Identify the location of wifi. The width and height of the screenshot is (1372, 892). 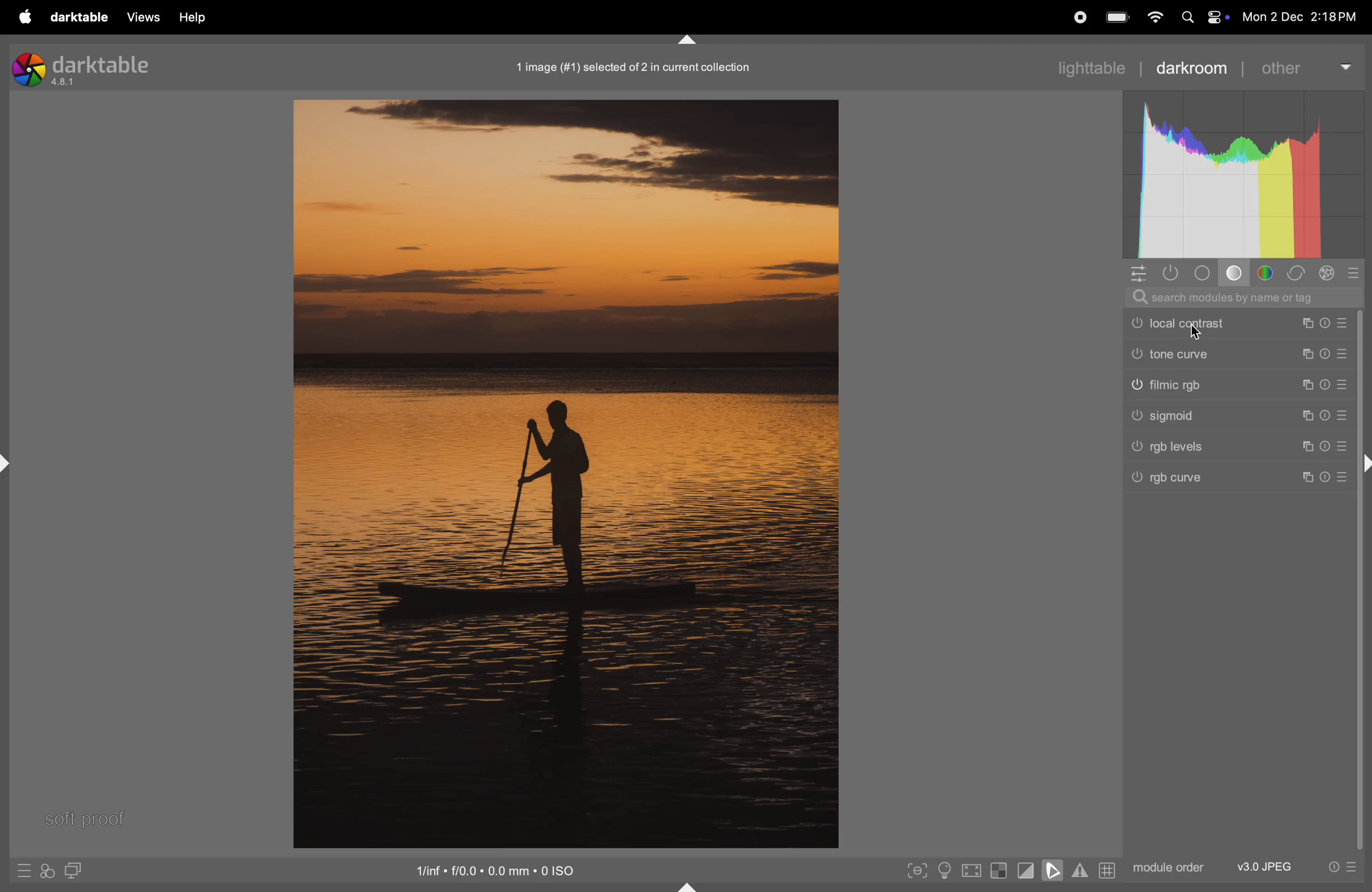
(1153, 17).